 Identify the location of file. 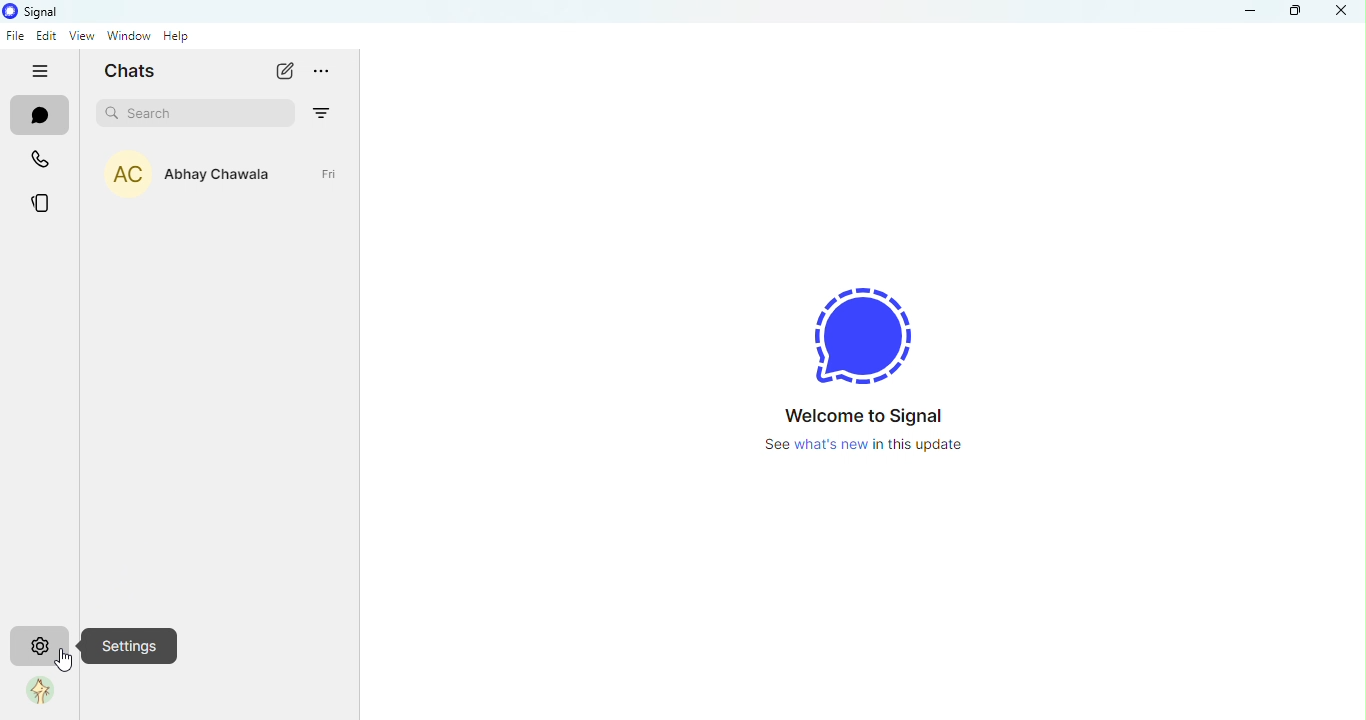
(19, 37).